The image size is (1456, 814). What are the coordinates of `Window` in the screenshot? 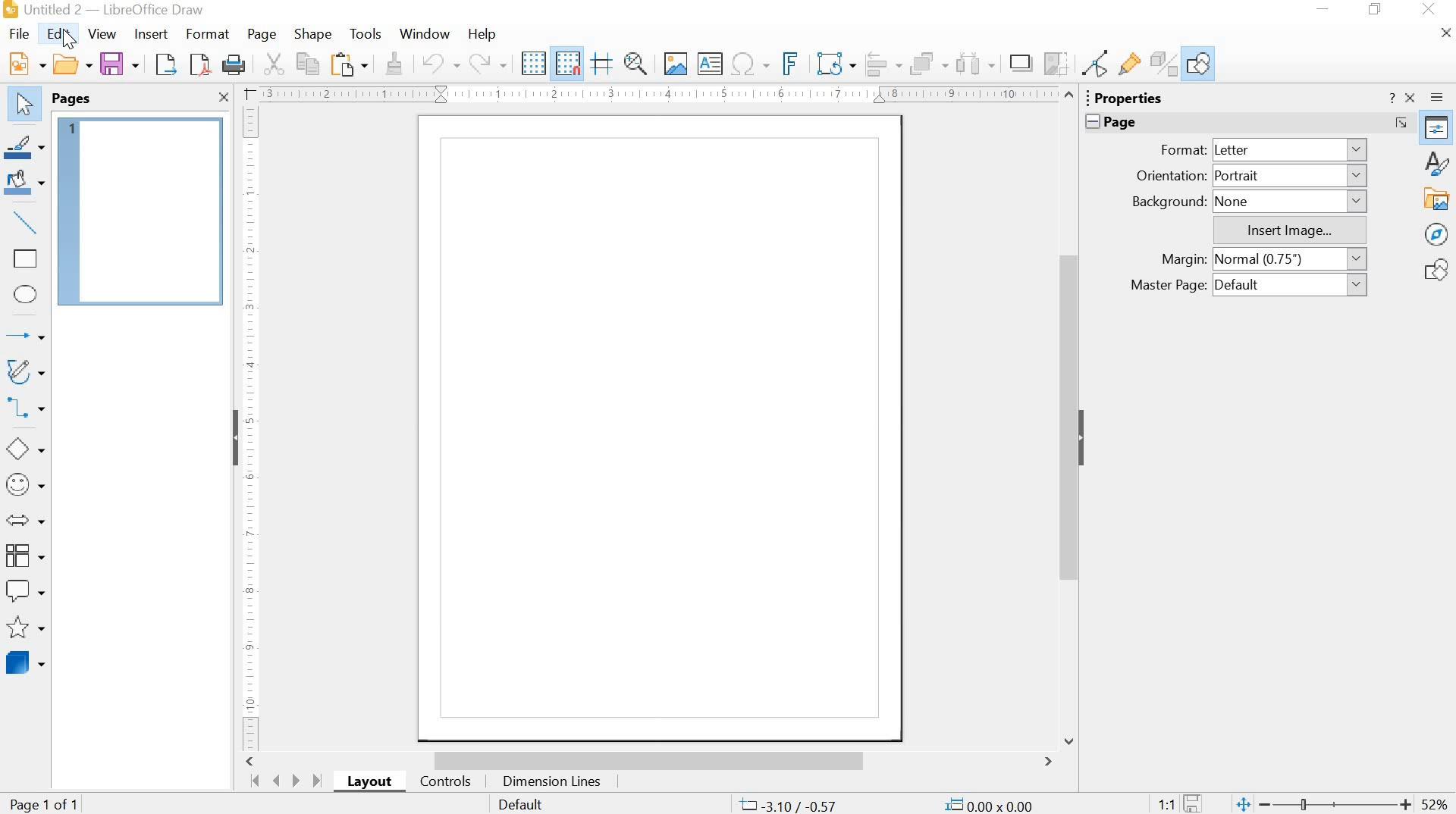 It's located at (424, 33).